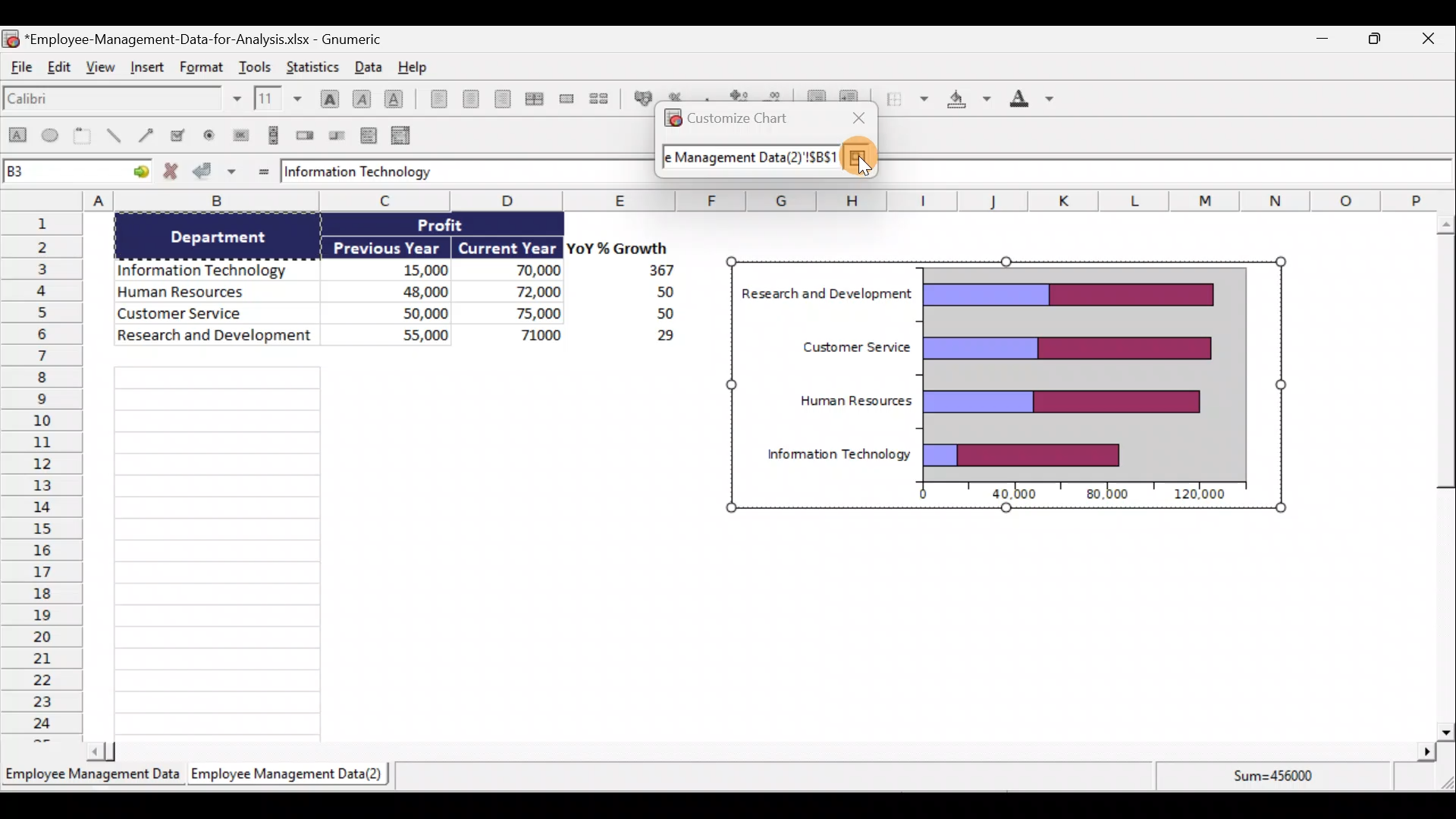  Describe the element at coordinates (362, 172) in the screenshot. I see `Information Technology` at that location.